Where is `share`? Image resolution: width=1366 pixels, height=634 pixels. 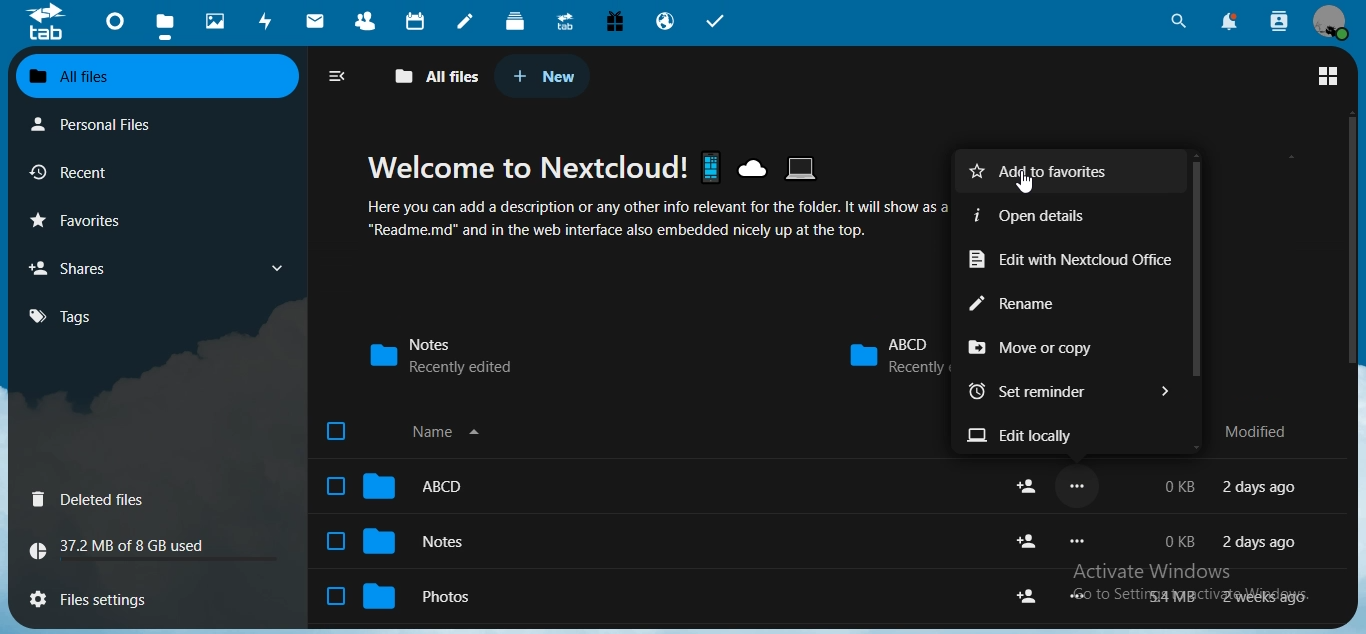
share is located at coordinates (1028, 485).